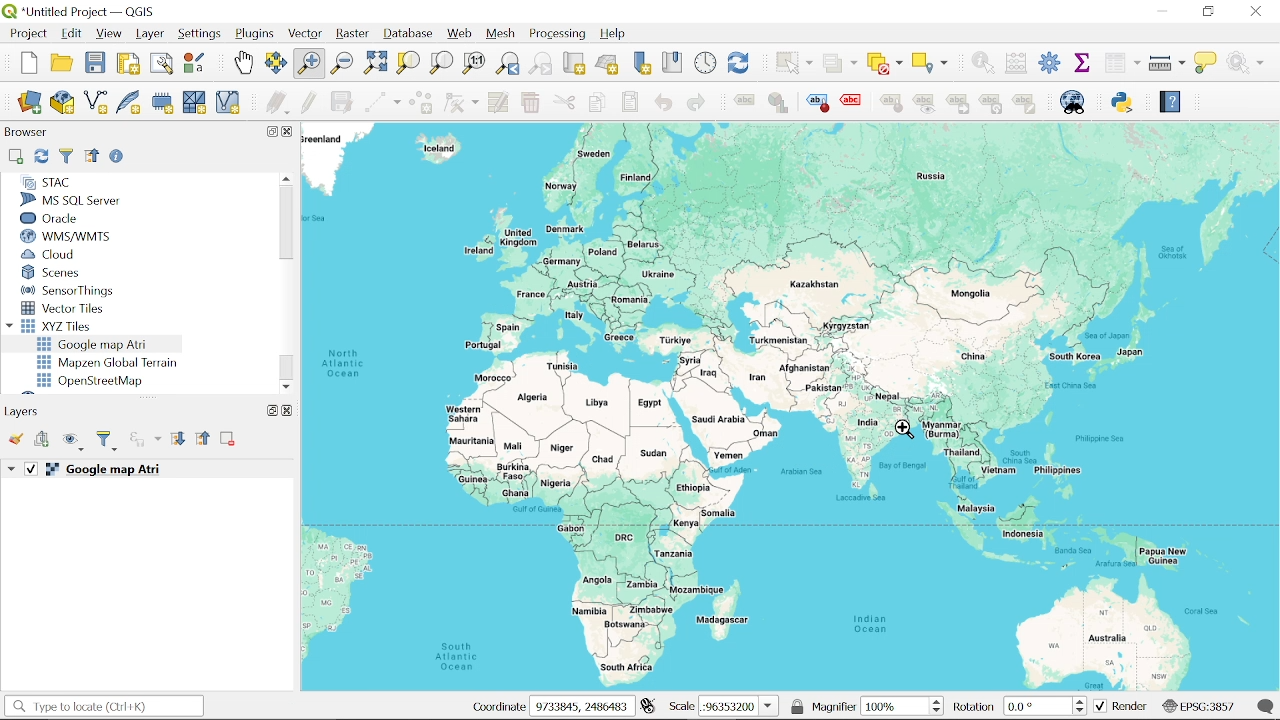 This screenshot has height=720, width=1280. Describe the element at coordinates (95, 63) in the screenshot. I see `Save project` at that location.